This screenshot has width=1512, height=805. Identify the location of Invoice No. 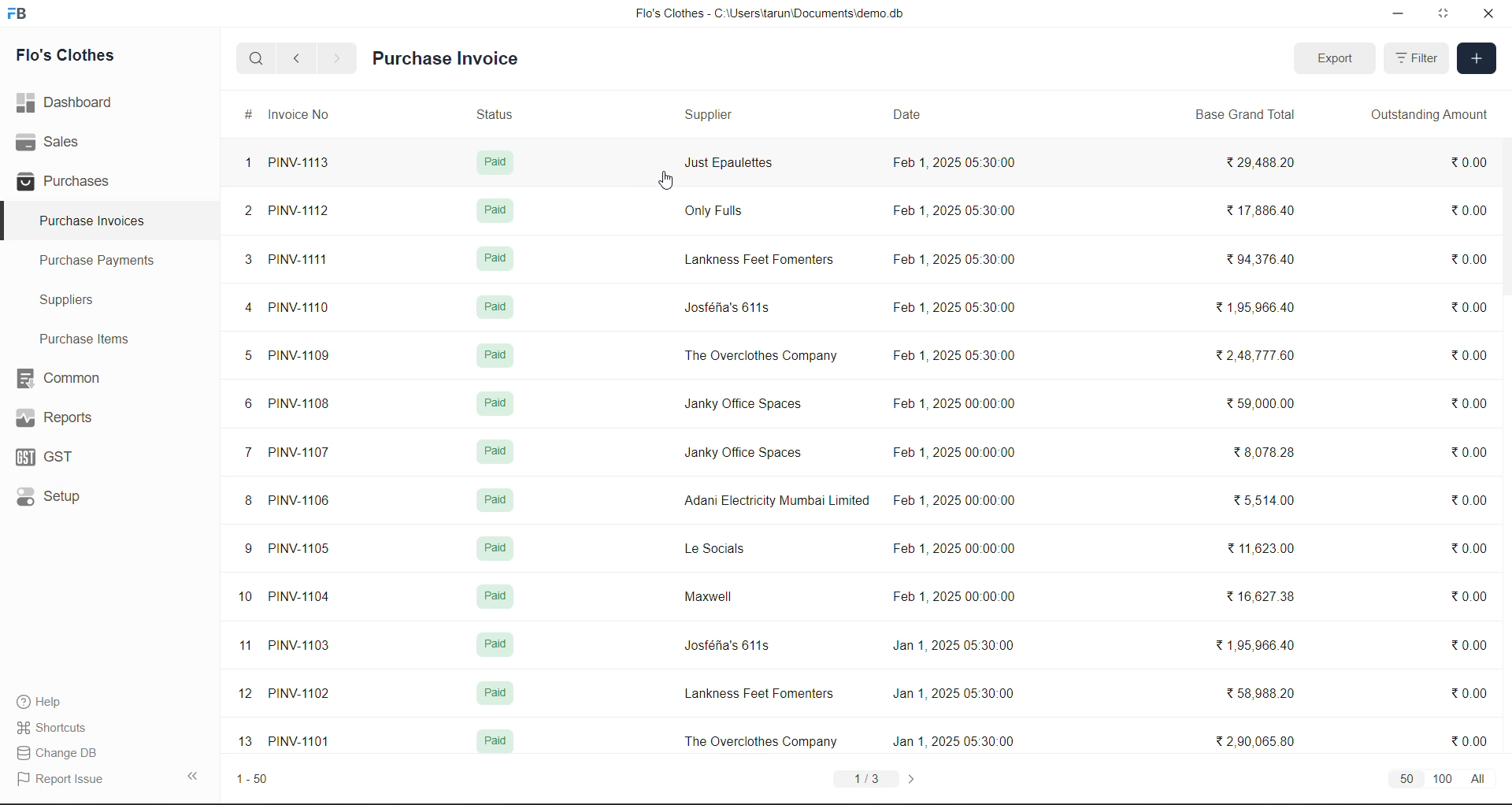
(306, 114).